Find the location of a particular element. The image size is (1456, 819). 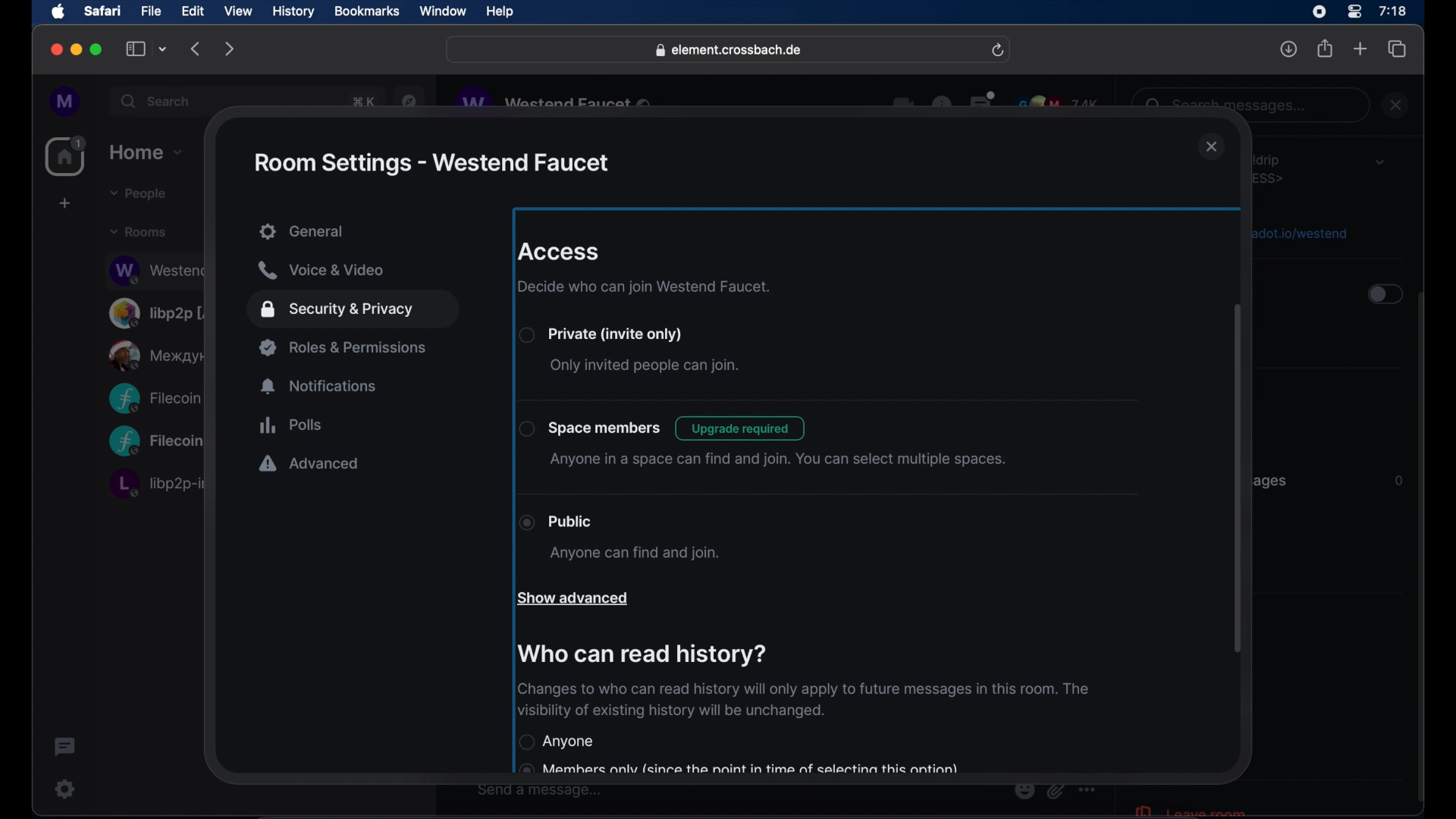

rom settings - westend faucet is located at coordinates (430, 163).